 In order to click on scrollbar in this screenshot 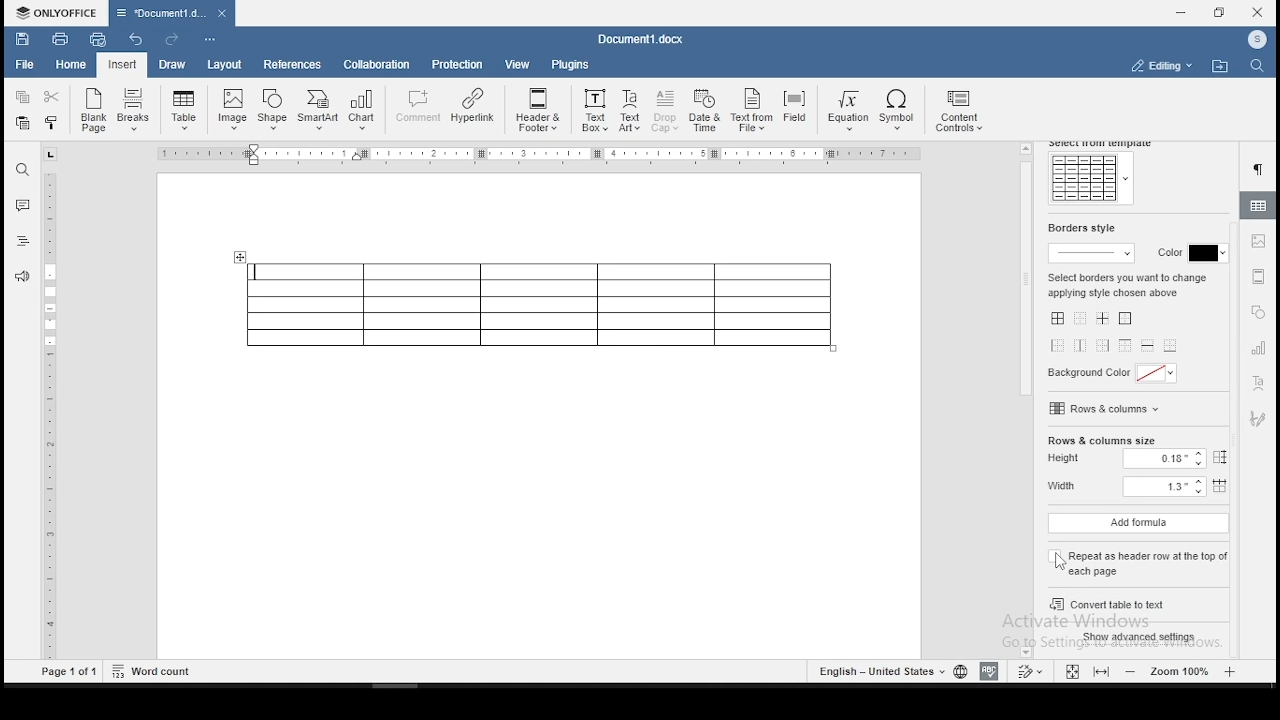, I will do `click(1026, 400)`.